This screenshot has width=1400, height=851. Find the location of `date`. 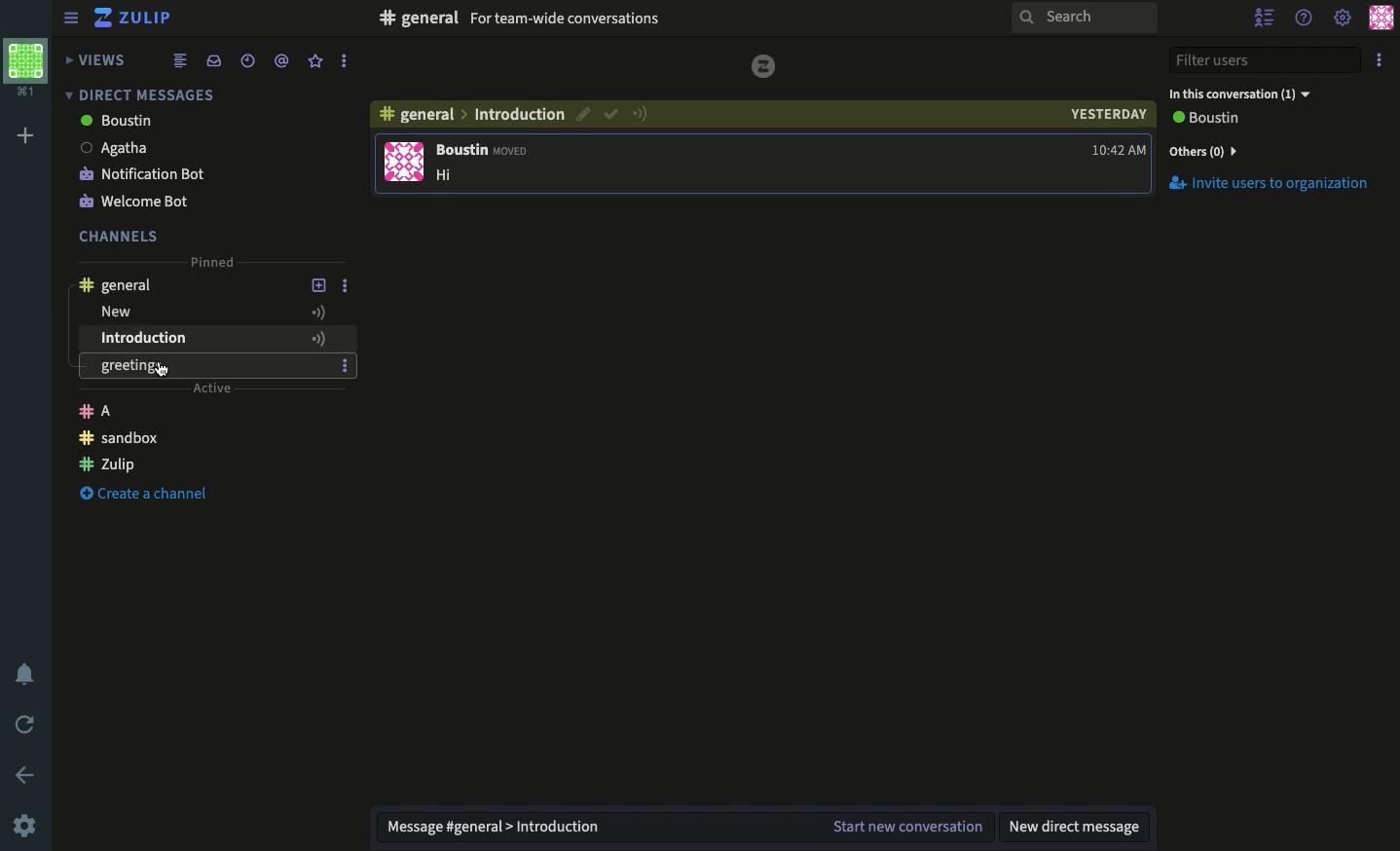

date is located at coordinates (1104, 114).